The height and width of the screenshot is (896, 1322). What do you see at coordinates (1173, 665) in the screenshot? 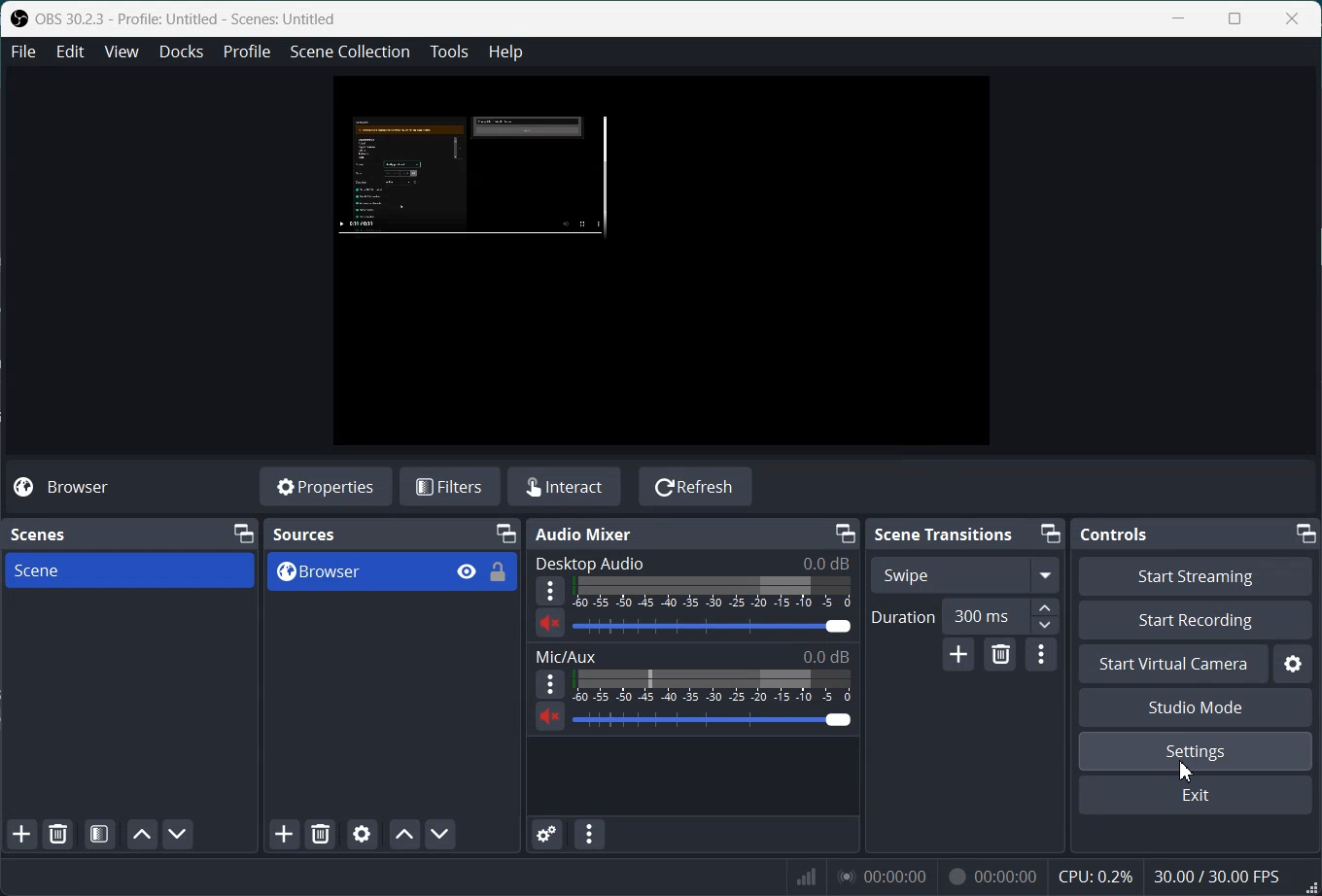
I see `Start Virtual Camer` at bounding box center [1173, 665].